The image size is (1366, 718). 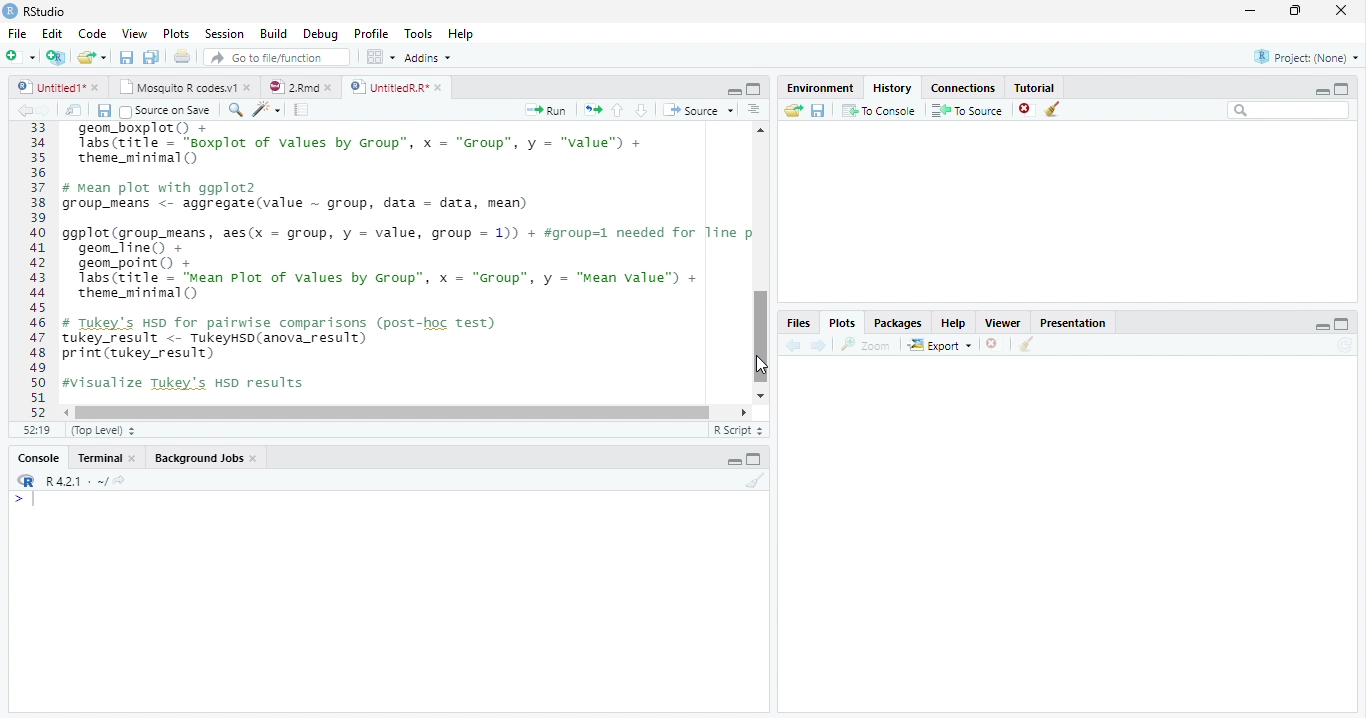 What do you see at coordinates (379, 56) in the screenshot?
I see `Workspace pane` at bounding box center [379, 56].